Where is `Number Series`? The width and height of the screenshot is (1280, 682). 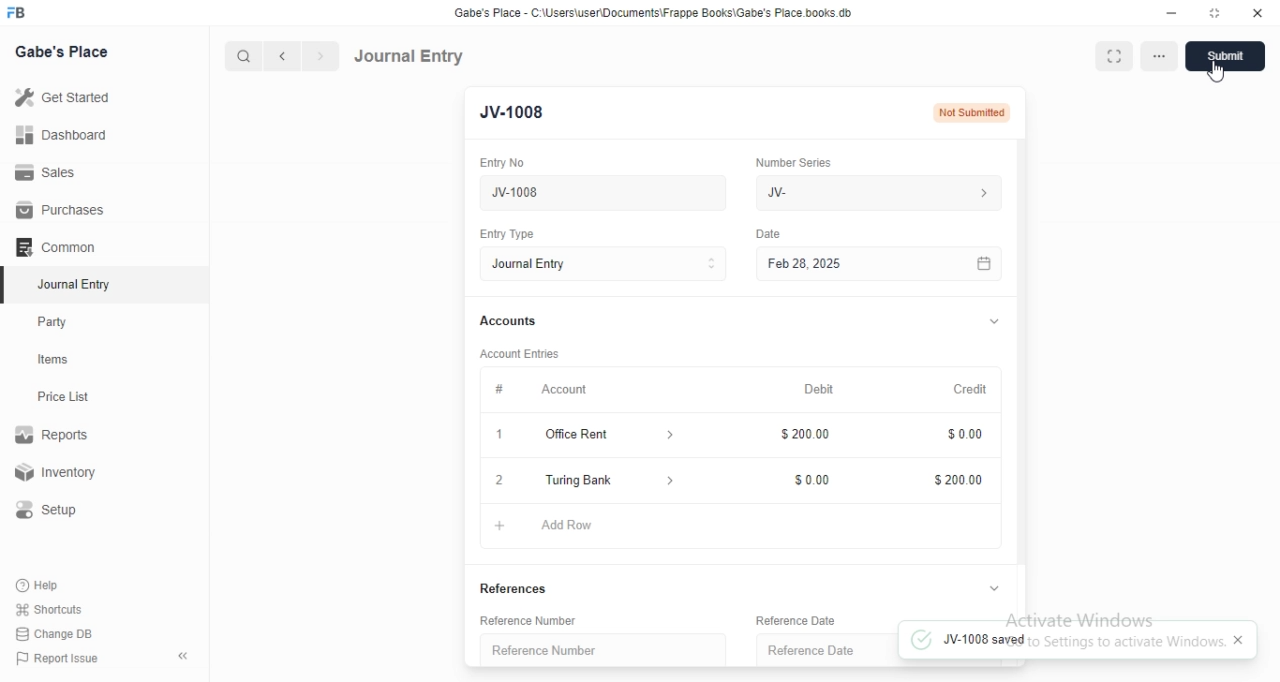 Number Series is located at coordinates (793, 160).